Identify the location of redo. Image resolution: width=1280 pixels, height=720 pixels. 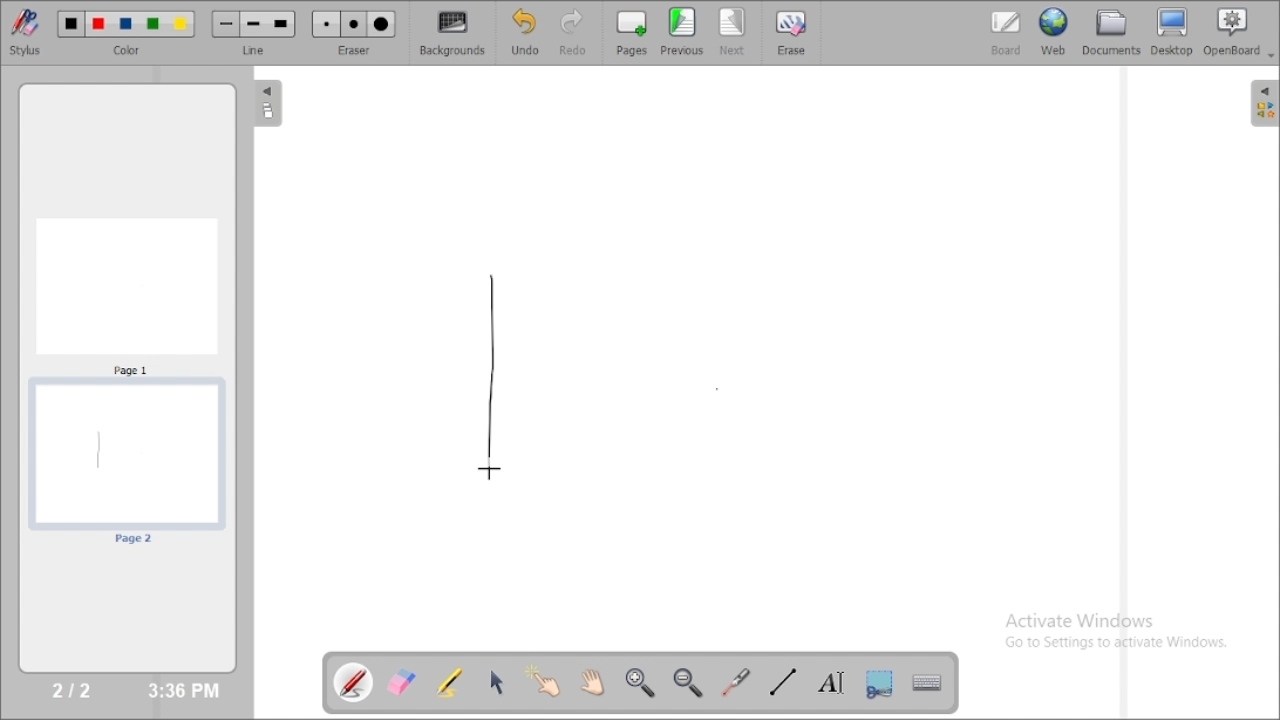
(578, 32).